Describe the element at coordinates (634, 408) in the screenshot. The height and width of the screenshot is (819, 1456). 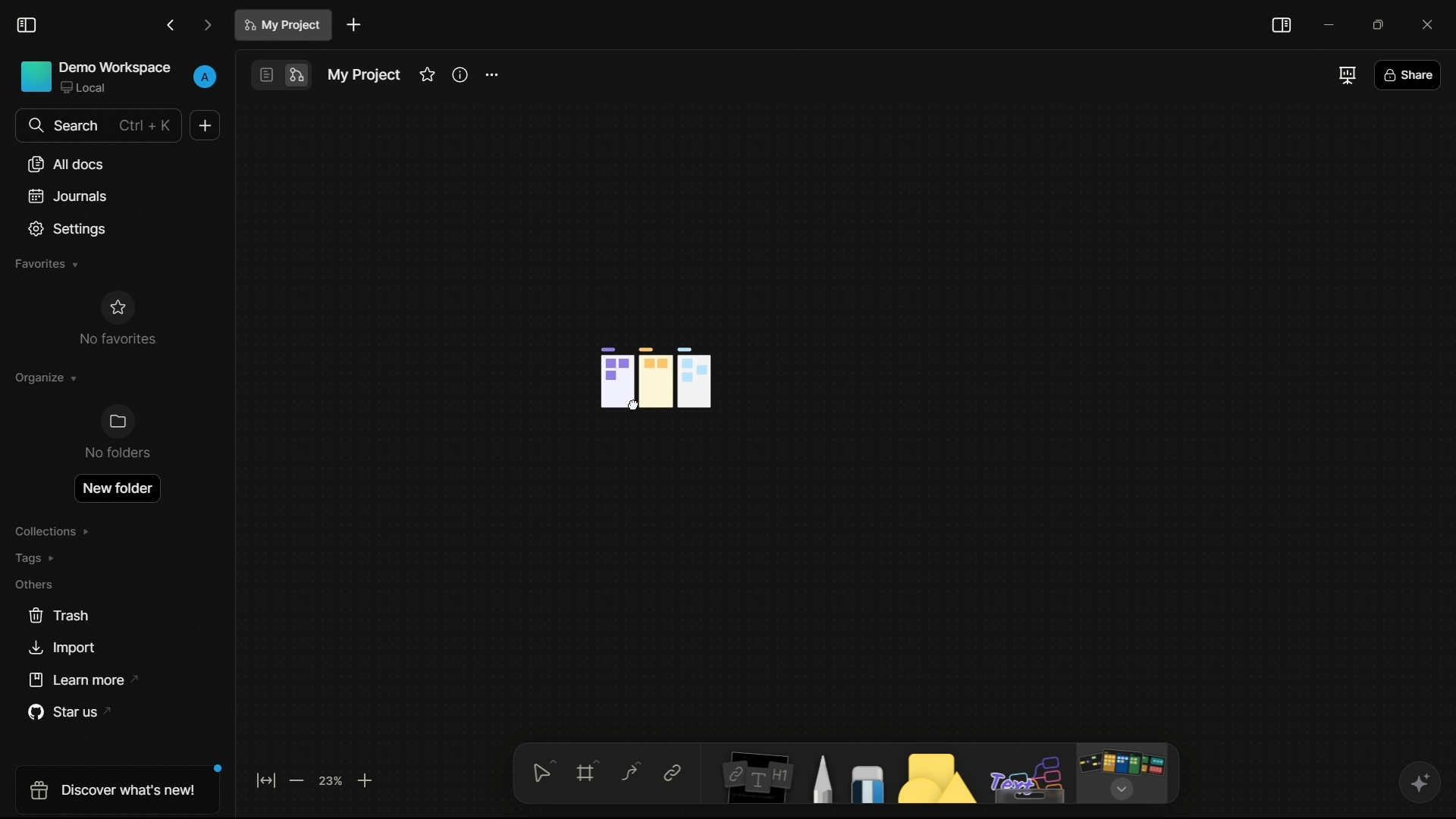
I see `cursor` at that location.